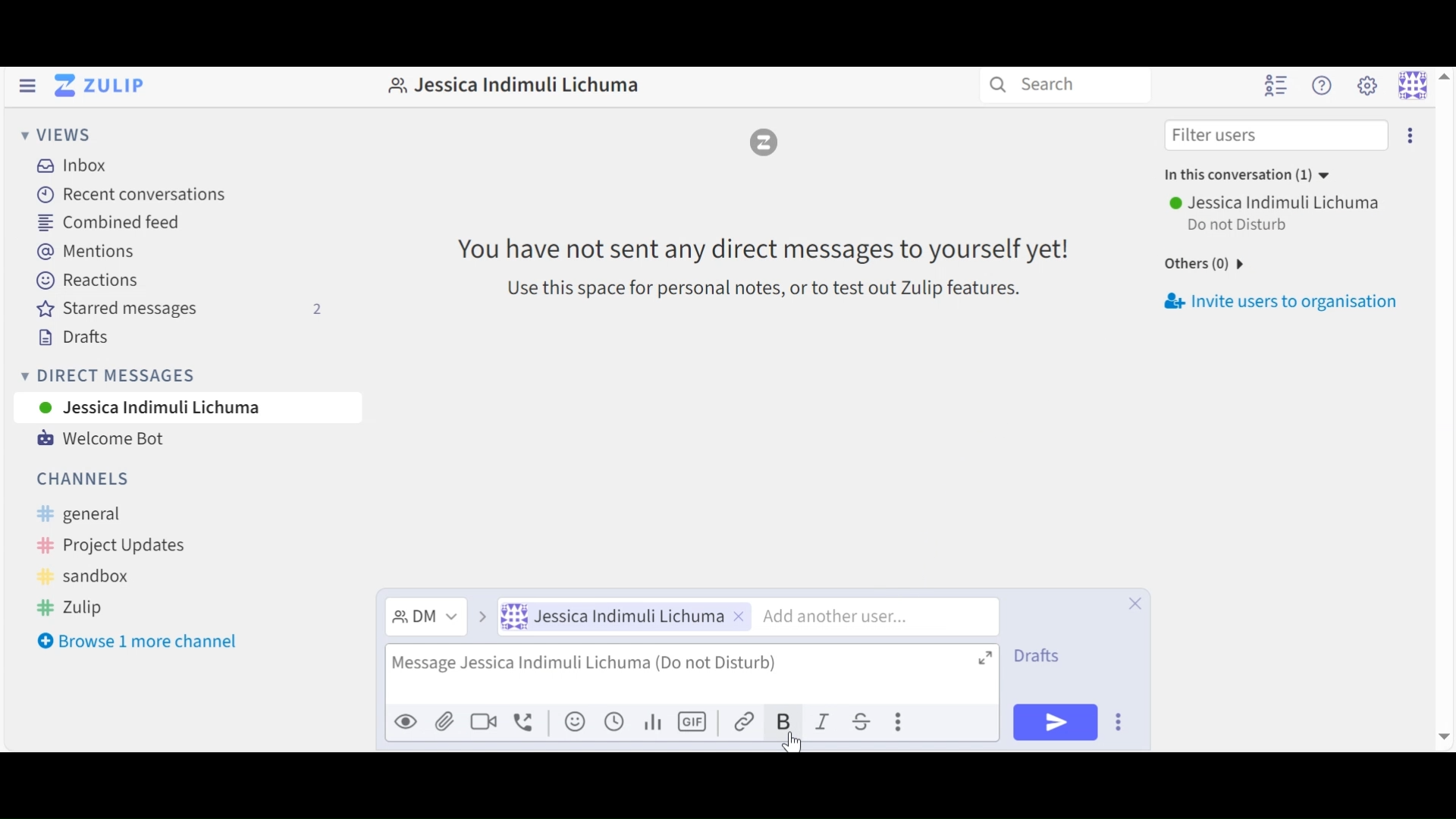 The height and width of the screenshot is (819, 1456). I want to click on Add emoji, so click(573, 721).